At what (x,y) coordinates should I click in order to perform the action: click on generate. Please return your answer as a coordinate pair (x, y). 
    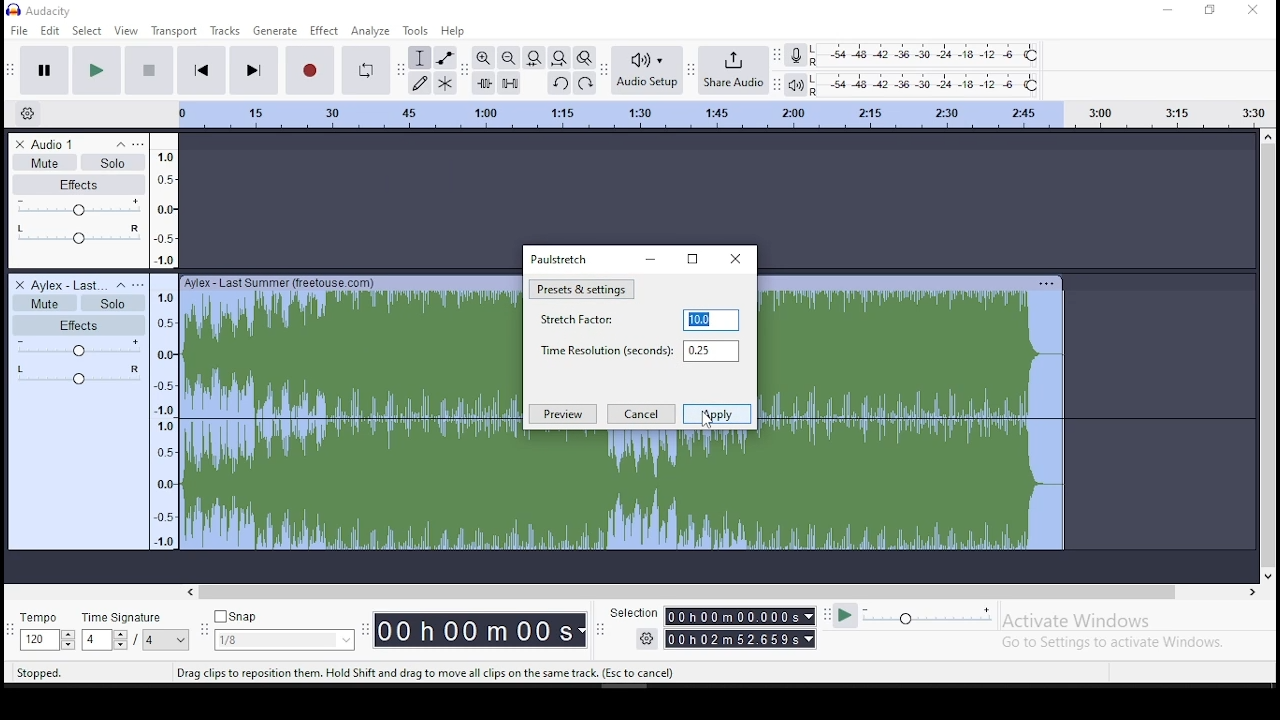
    Looking at the image, I should click on (276, 32).